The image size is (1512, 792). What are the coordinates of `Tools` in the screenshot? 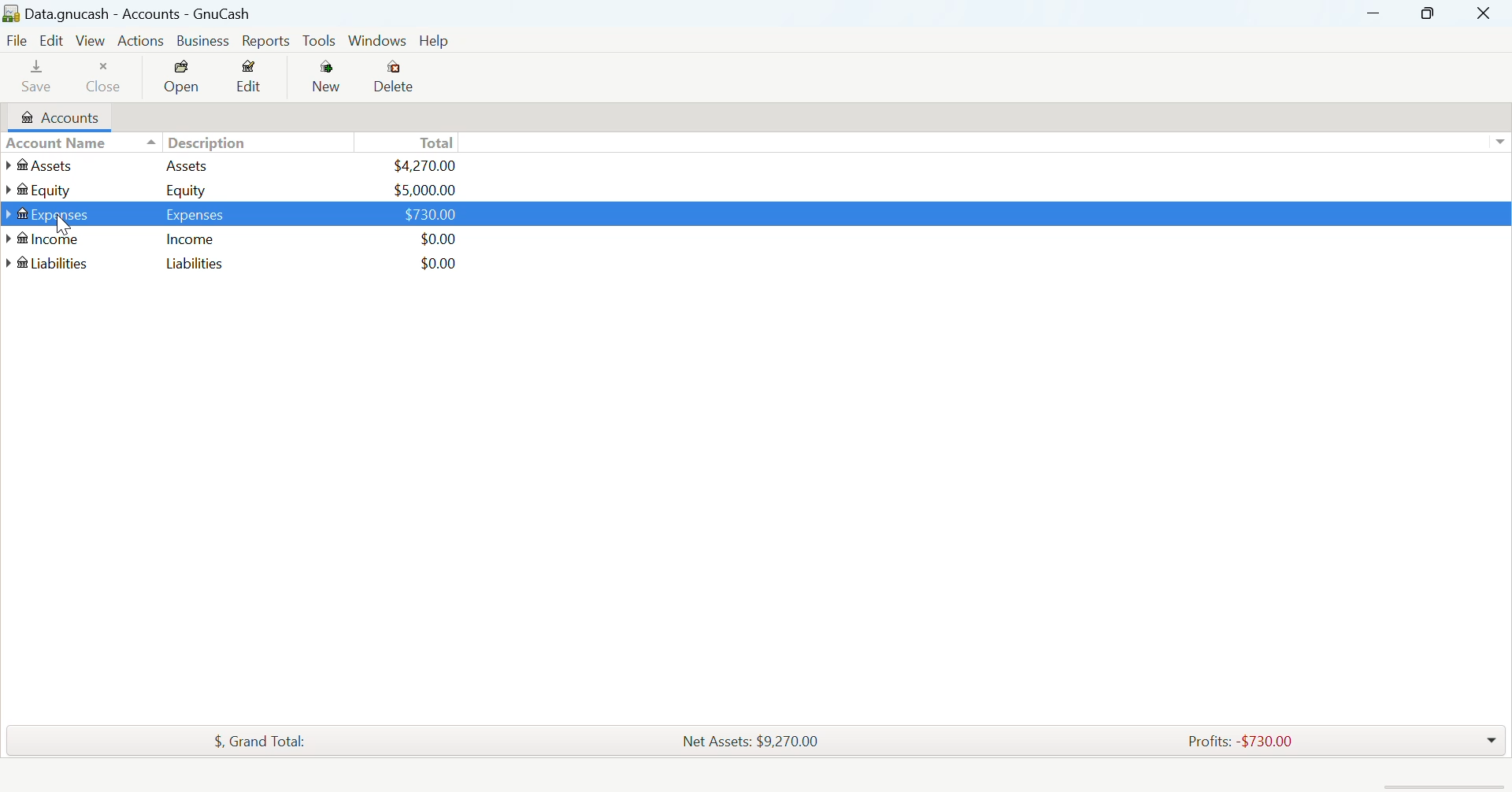 It's located at (318, 41).